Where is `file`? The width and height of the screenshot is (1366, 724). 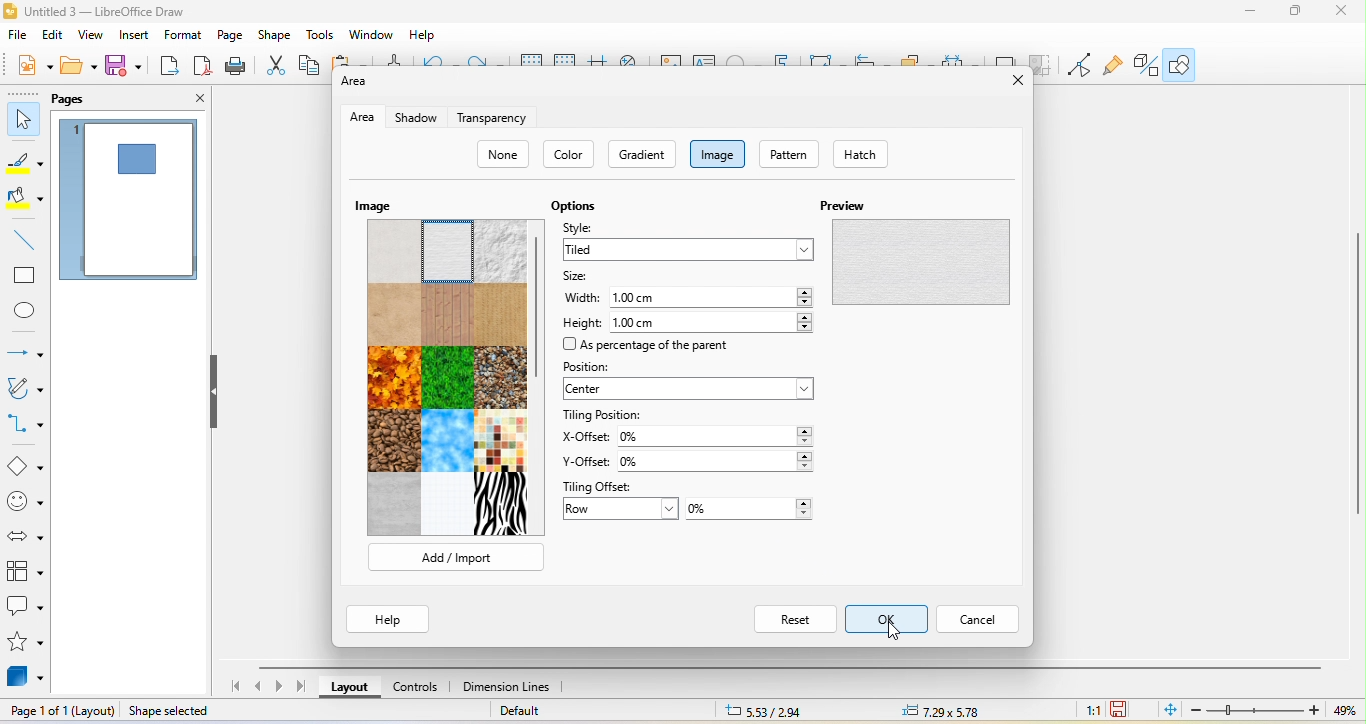
file is located at coordinates (16, 38).